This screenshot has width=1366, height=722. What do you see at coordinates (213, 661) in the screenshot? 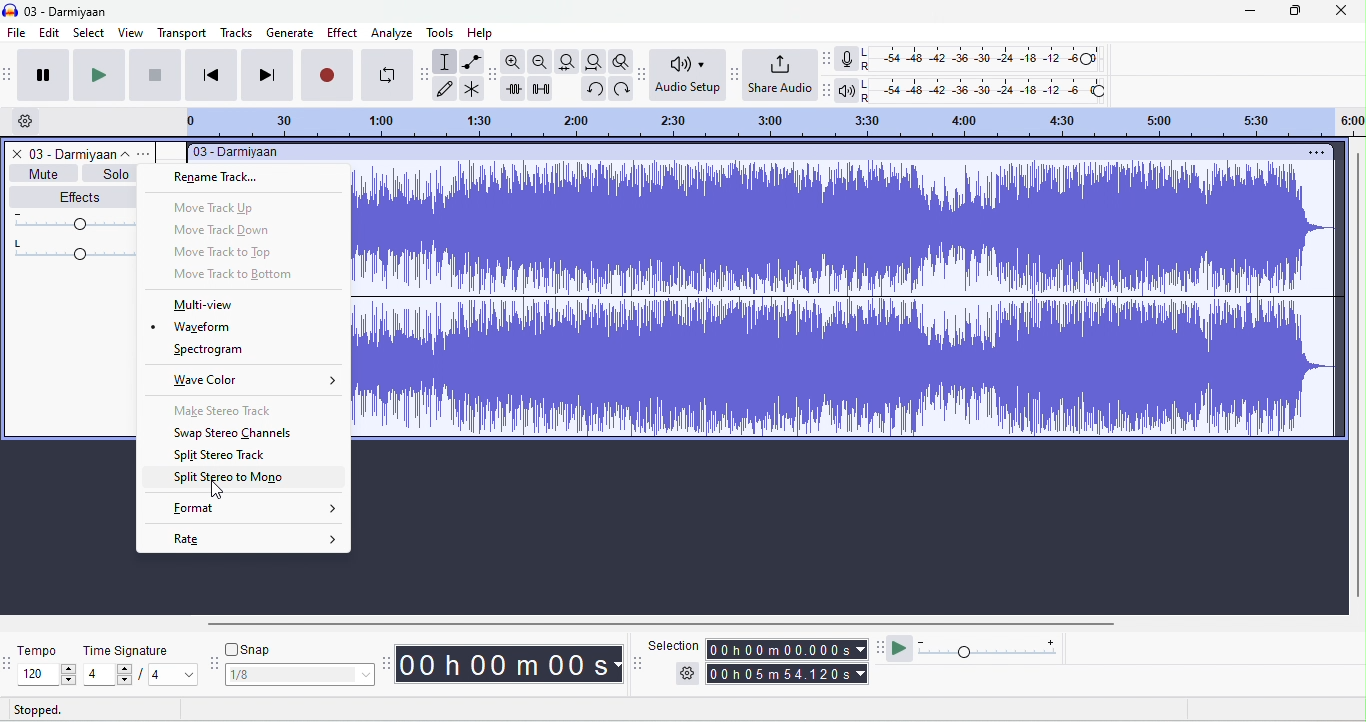
I see `snap options` at bounding box center [213, 661].